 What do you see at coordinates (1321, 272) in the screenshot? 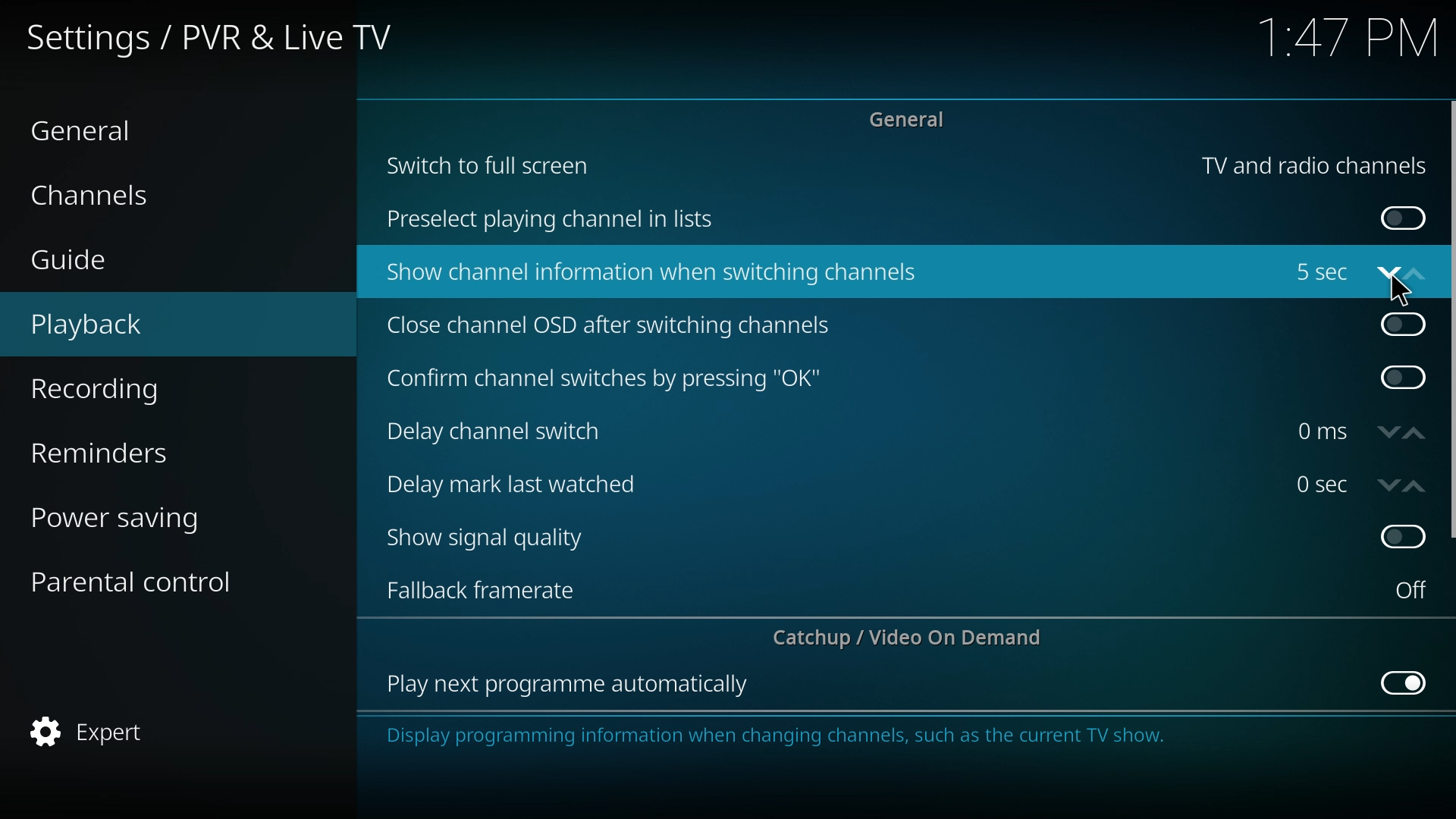
I see `time` at bounding box center [1321, 272].